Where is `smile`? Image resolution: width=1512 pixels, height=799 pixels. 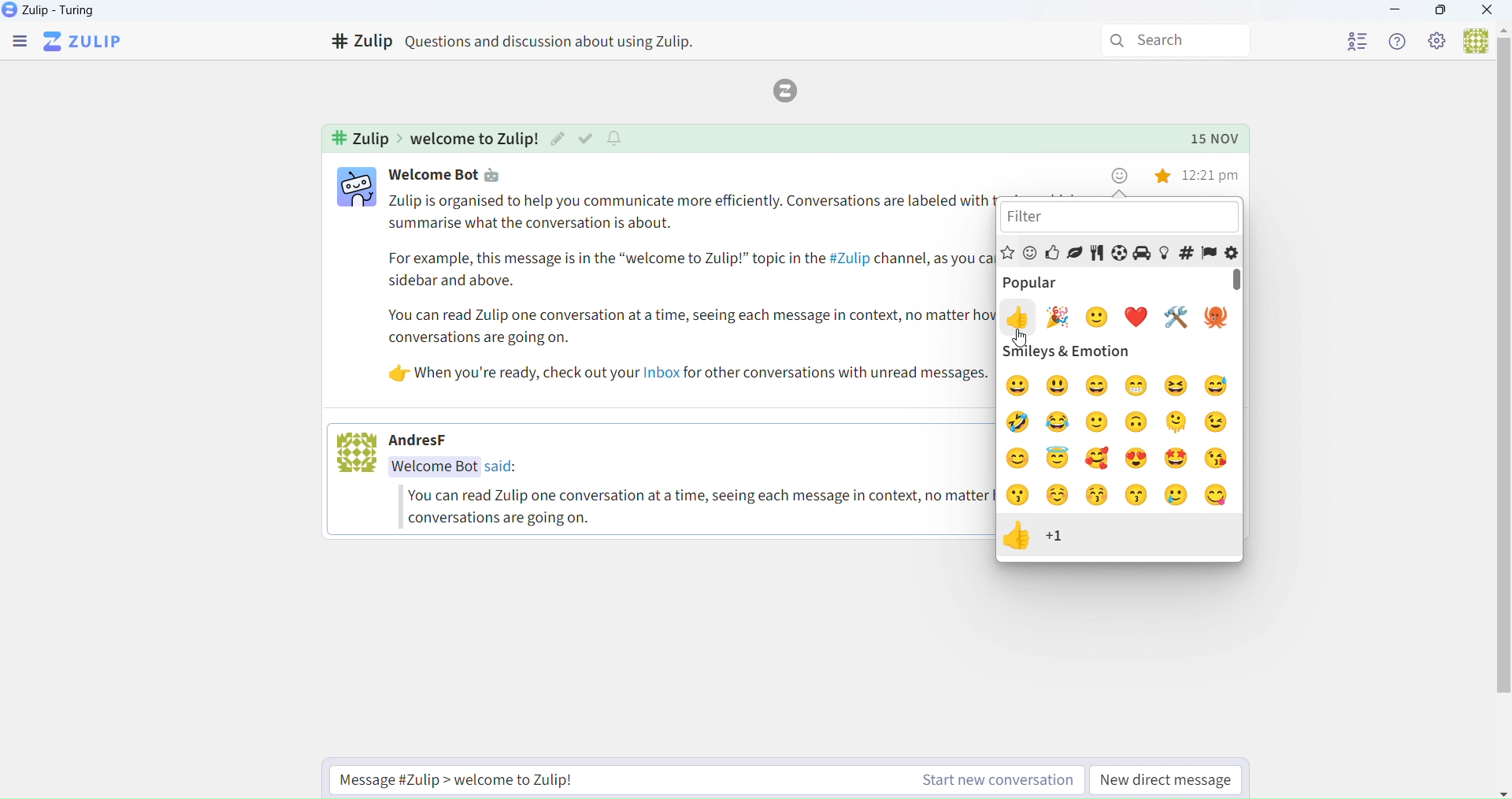 smile is located at coordinates (1099, 422).